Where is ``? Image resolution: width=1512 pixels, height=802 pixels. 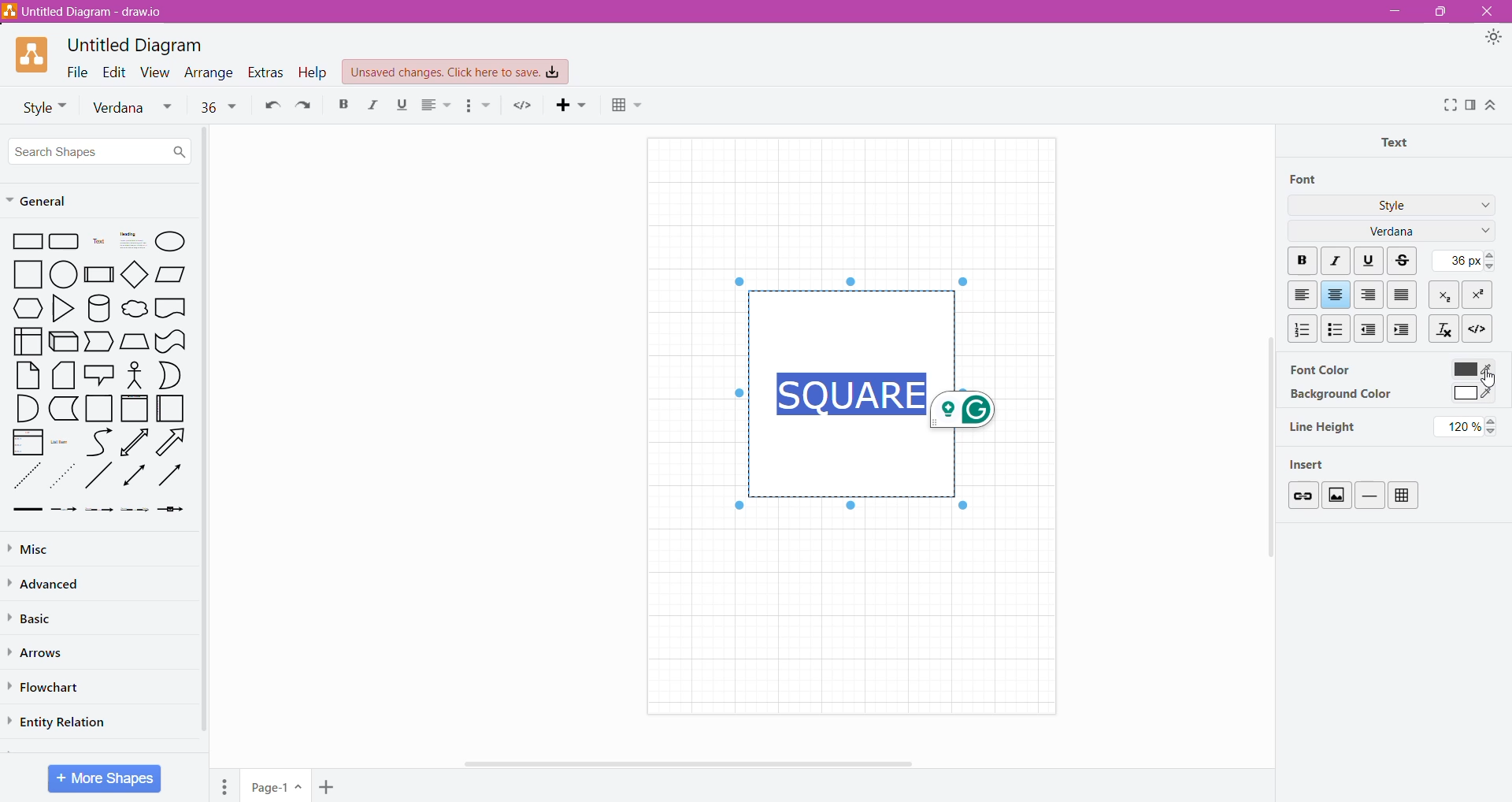  is located at coordinates (1394, 231).